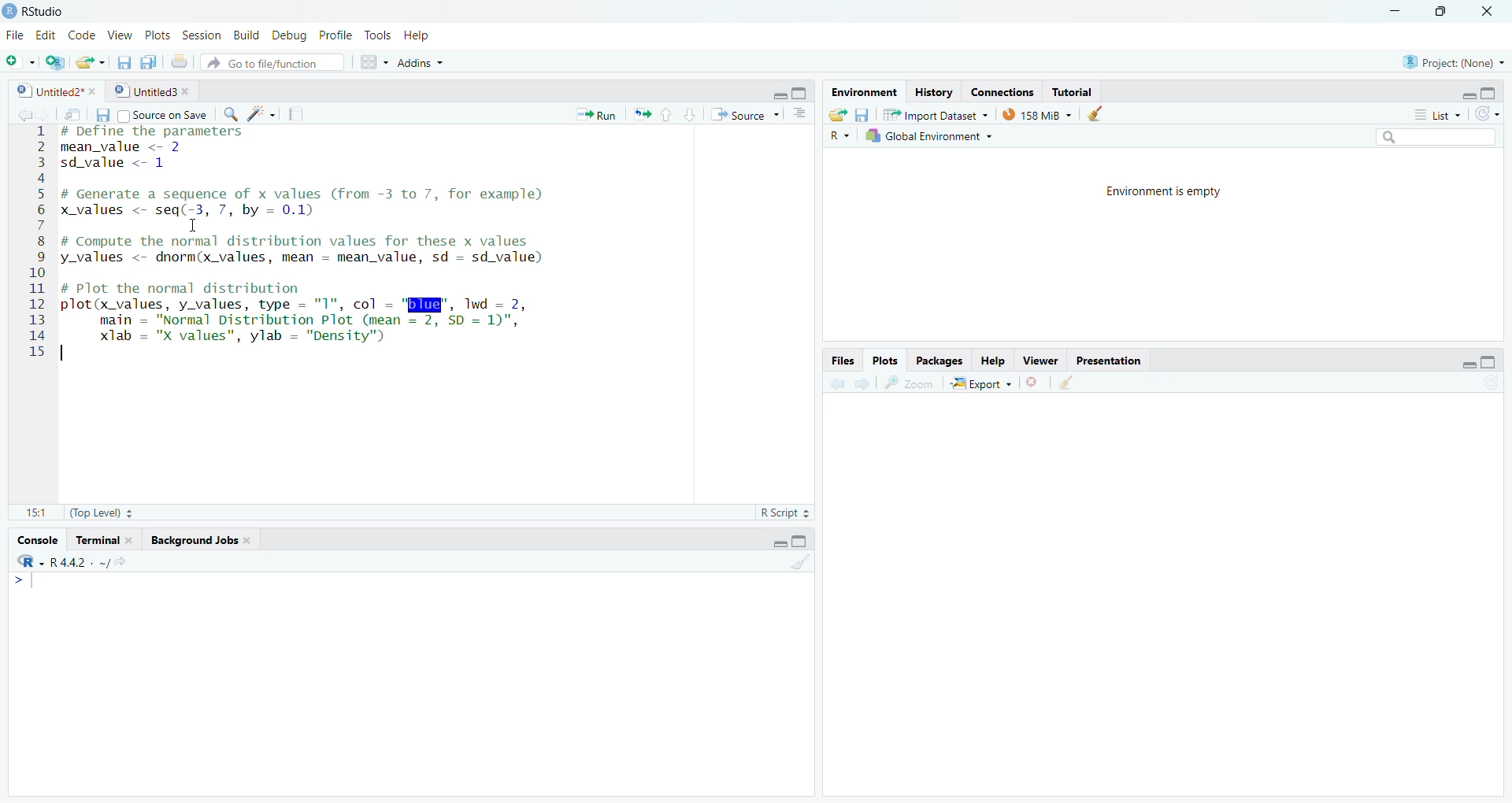  I want to click on search, so click(1432, 138).